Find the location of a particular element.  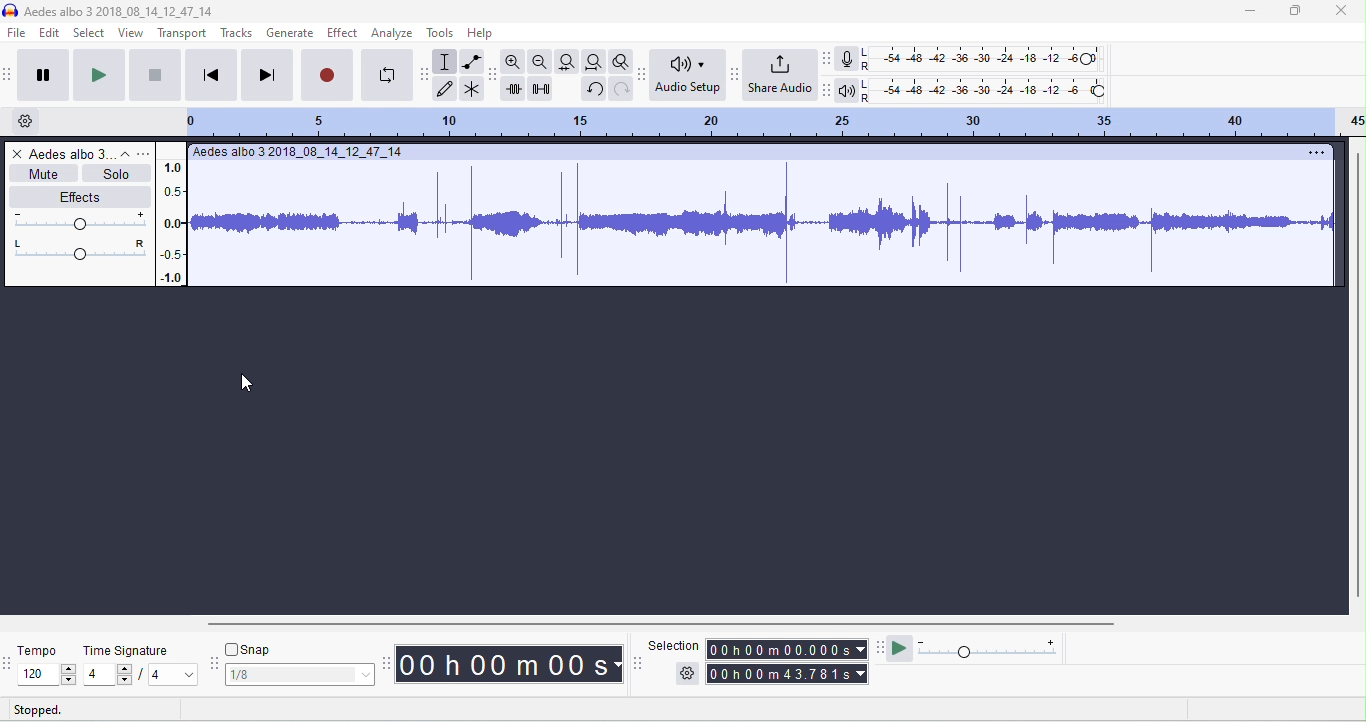

tracks is located at coordinates (236, 34).